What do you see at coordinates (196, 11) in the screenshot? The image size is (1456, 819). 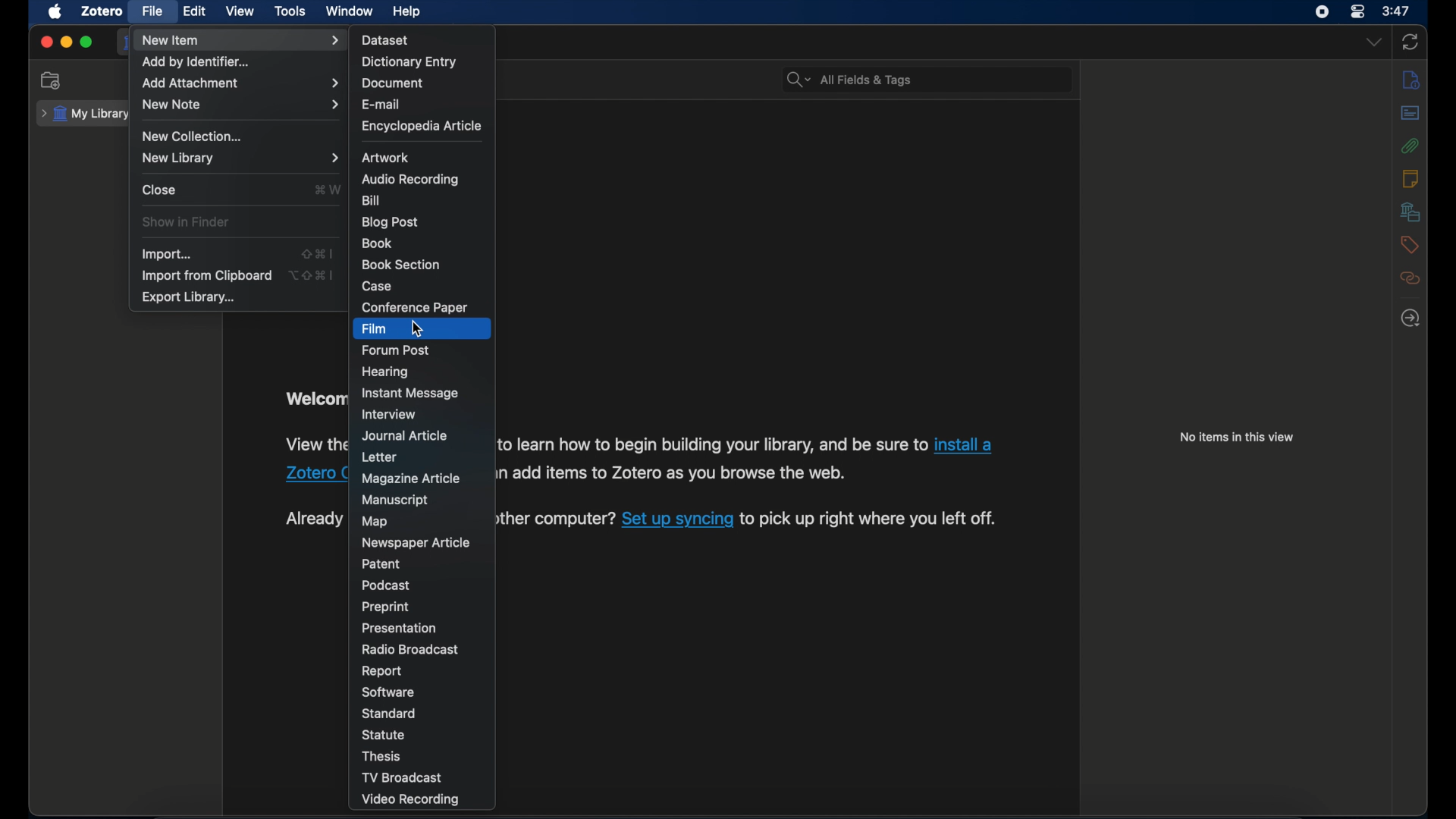 I see `edit` at bounding box center [196, 11].